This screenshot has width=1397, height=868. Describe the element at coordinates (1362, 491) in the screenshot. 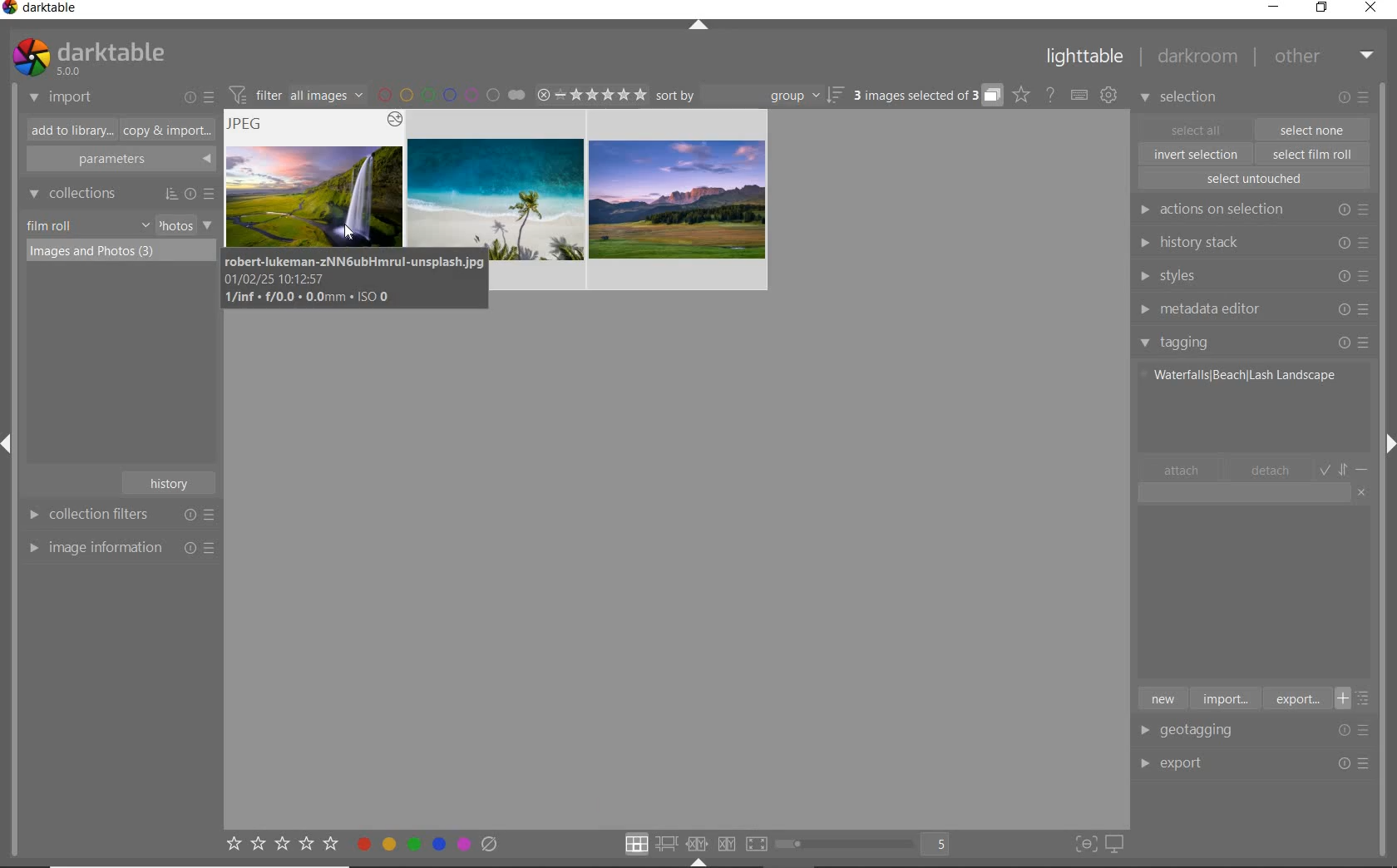

I see `clear entry` at that location.